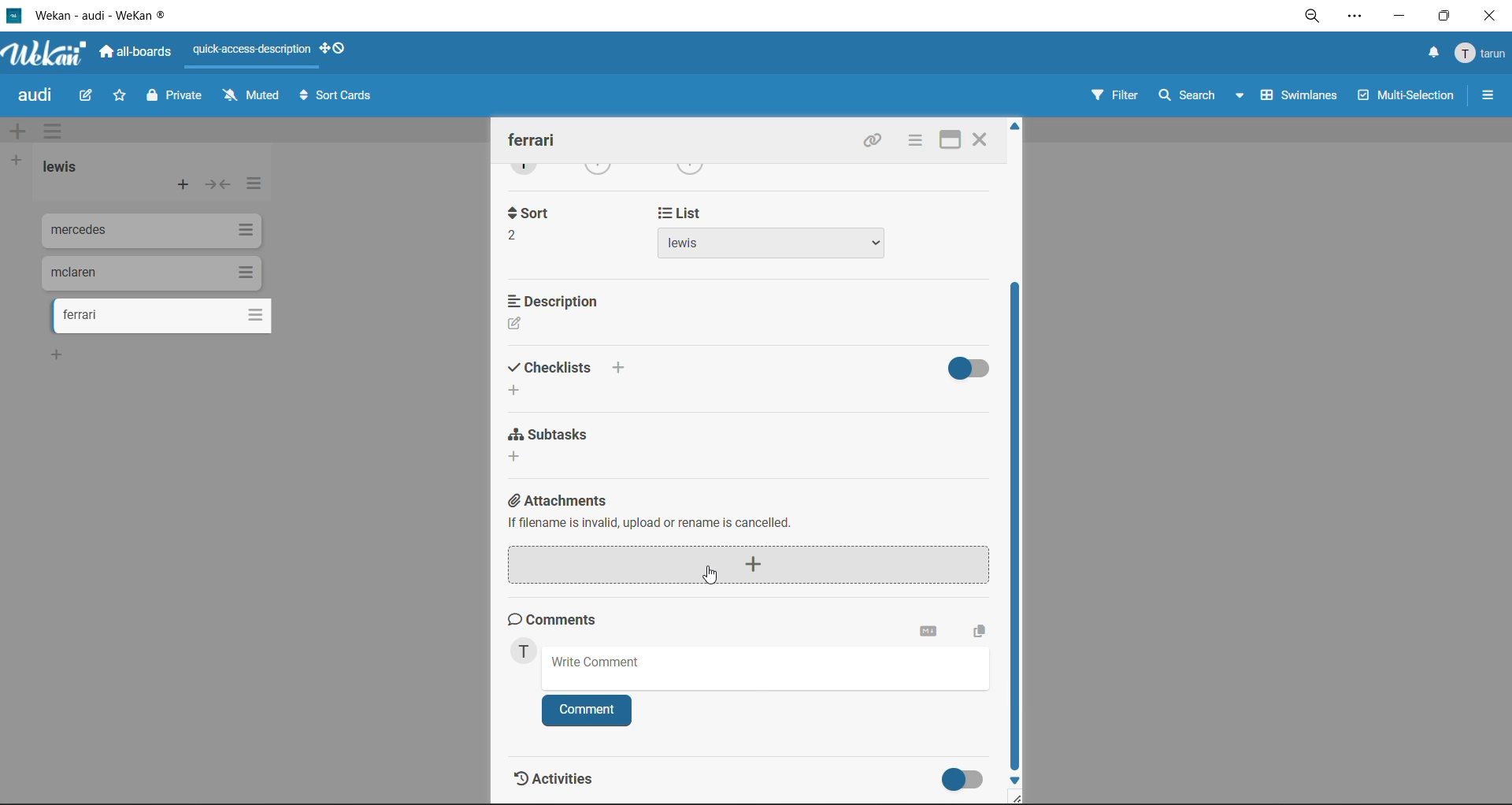  What do you see at coordinates (979, 142) in the screenshot?
I see `close` at bounding box center [979, 142].